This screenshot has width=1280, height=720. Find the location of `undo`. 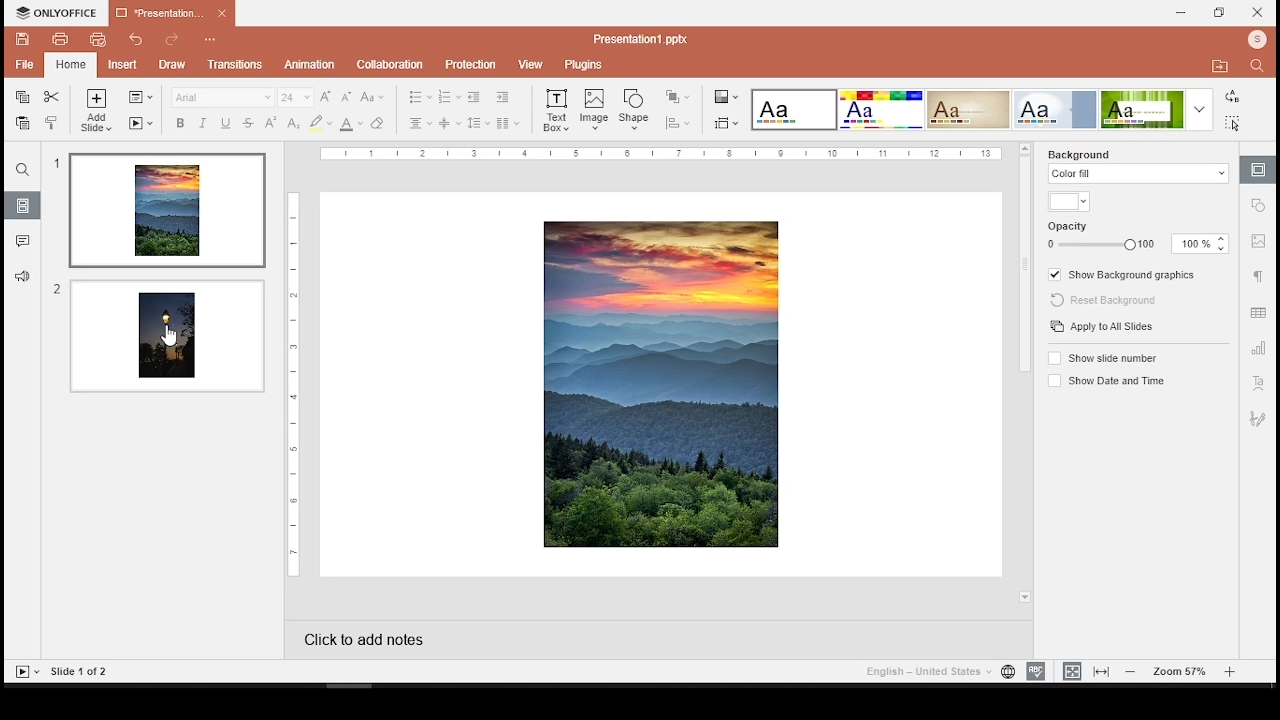

undo is located at coordinates (132, 40).